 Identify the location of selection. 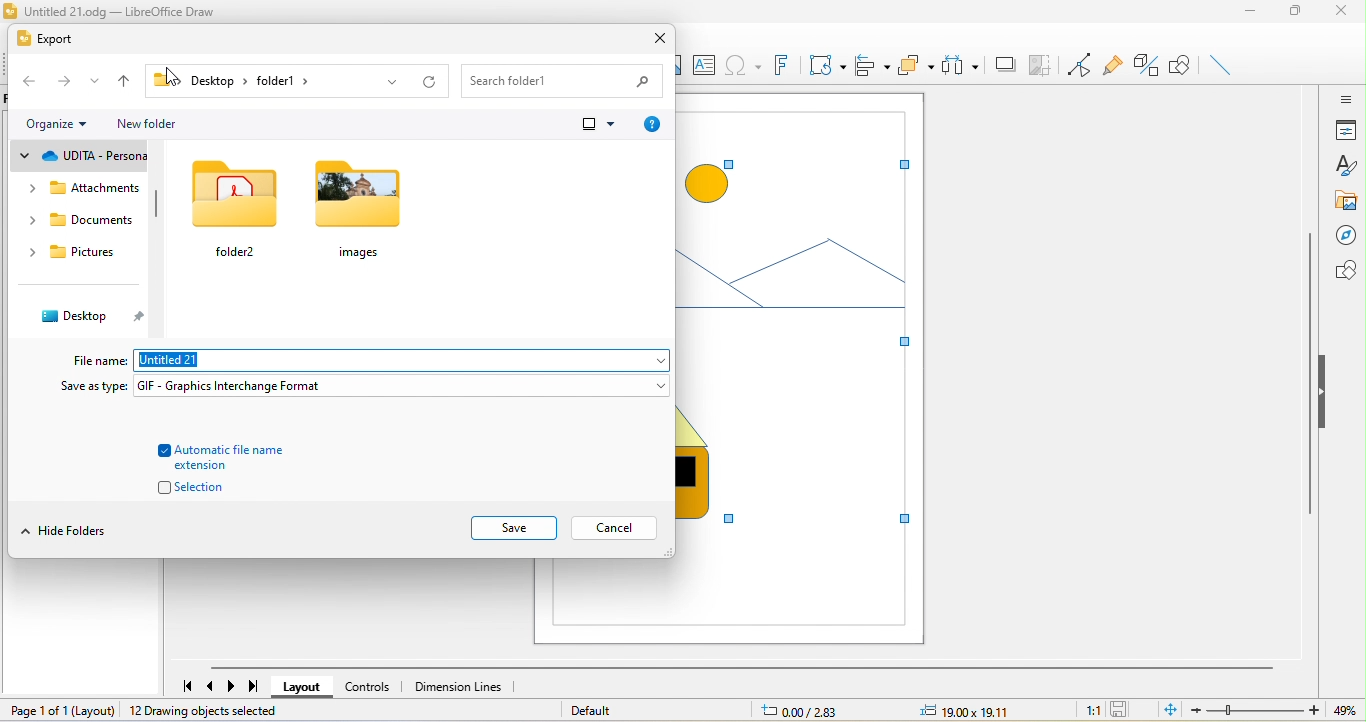
(182, 490).